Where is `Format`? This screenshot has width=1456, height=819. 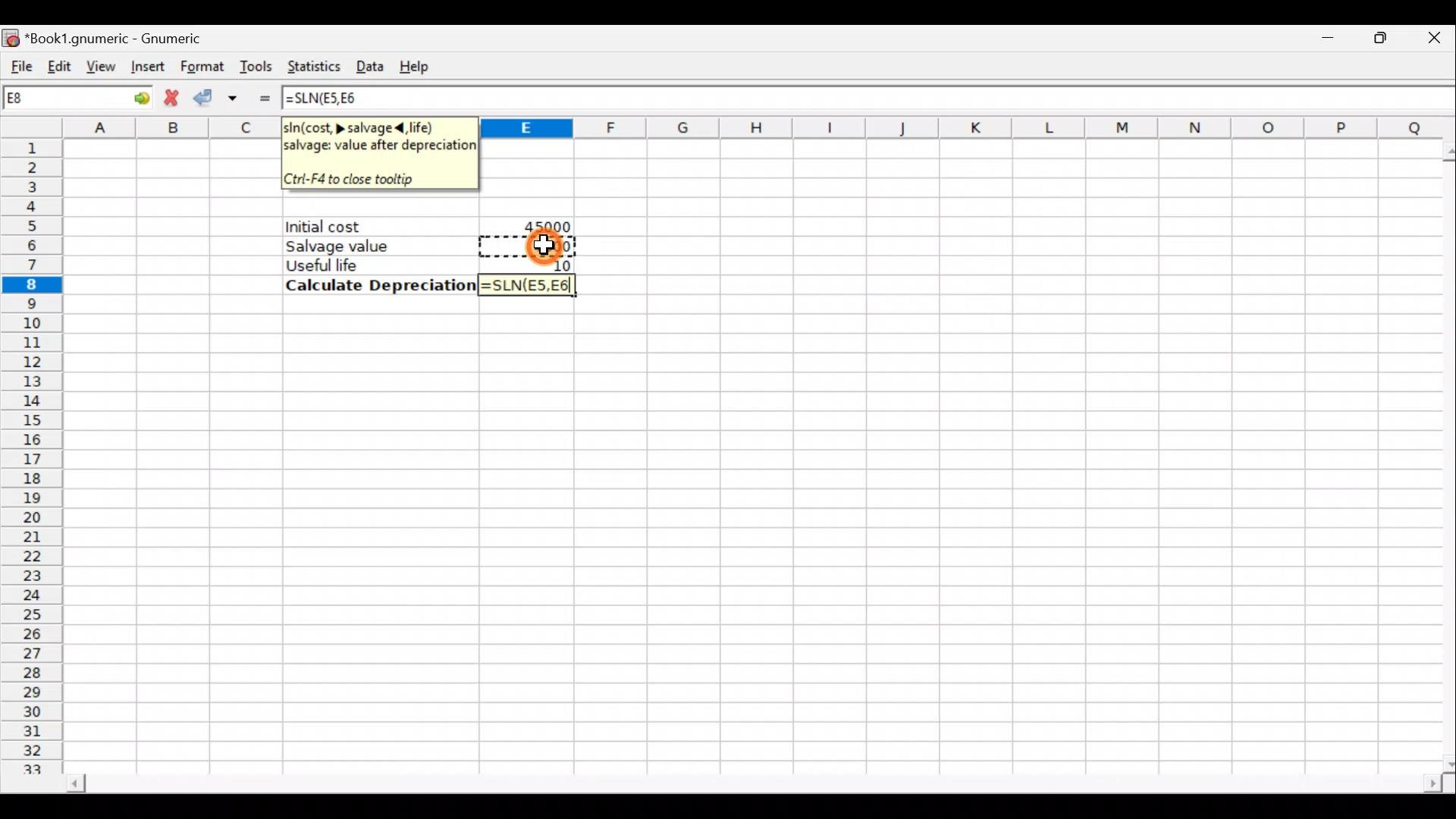
Format is located at coordinates (200, 64).